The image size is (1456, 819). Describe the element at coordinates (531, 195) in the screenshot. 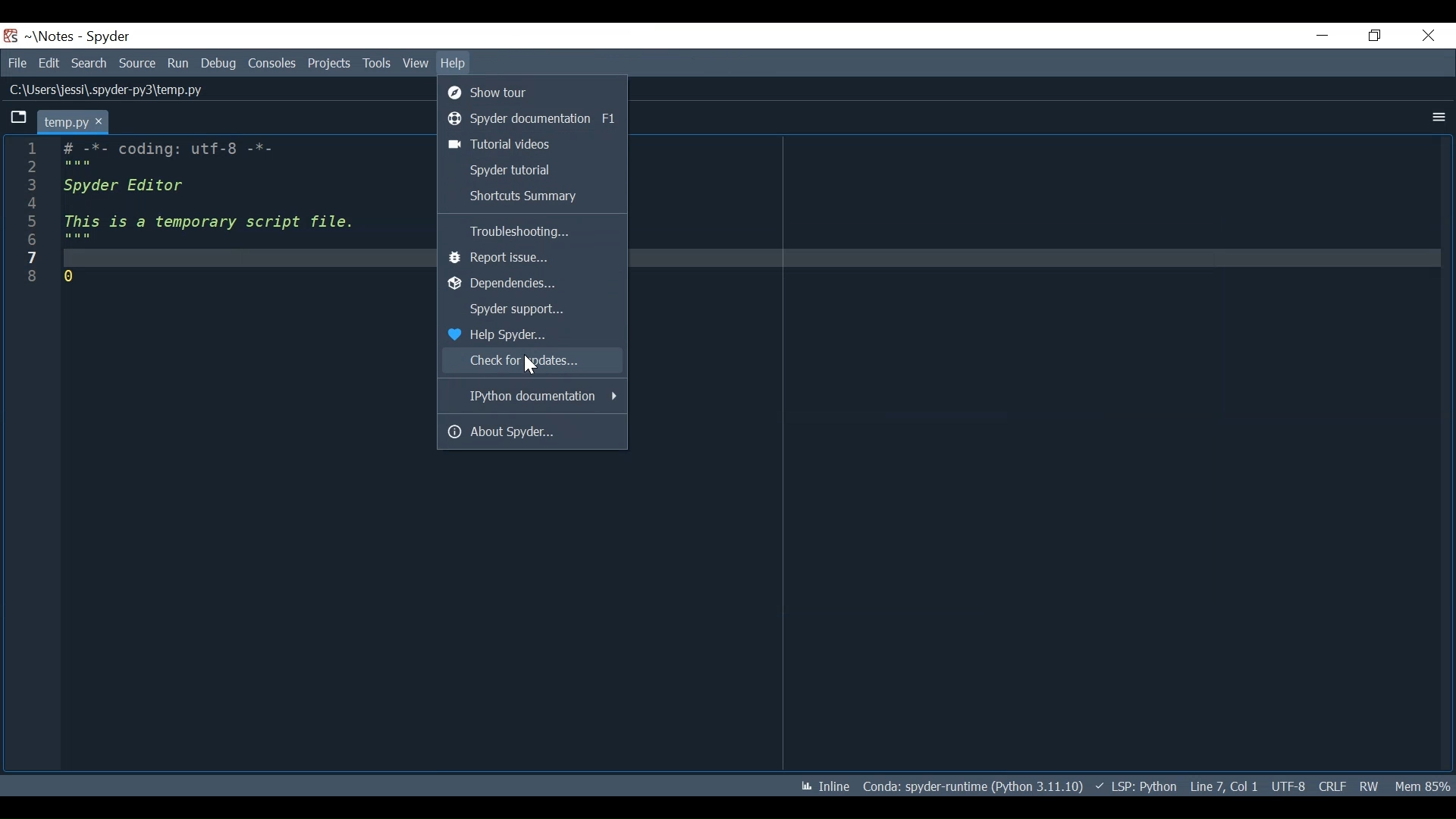

I see `Shortcut Summary` at that location.